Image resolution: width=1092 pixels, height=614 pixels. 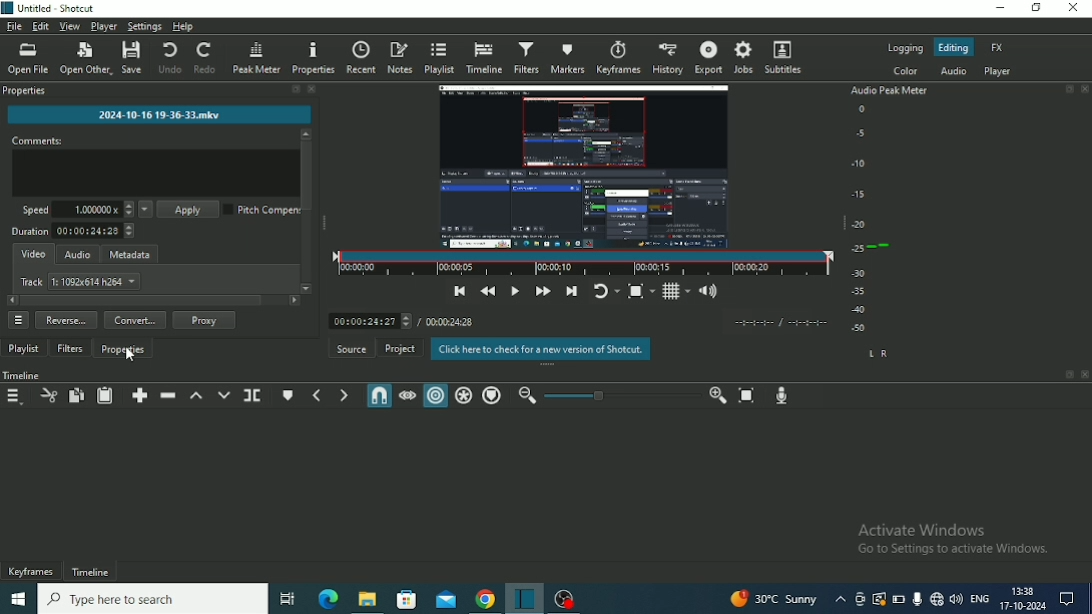 I want to click on Overwrite, so click(x=224, y=395).